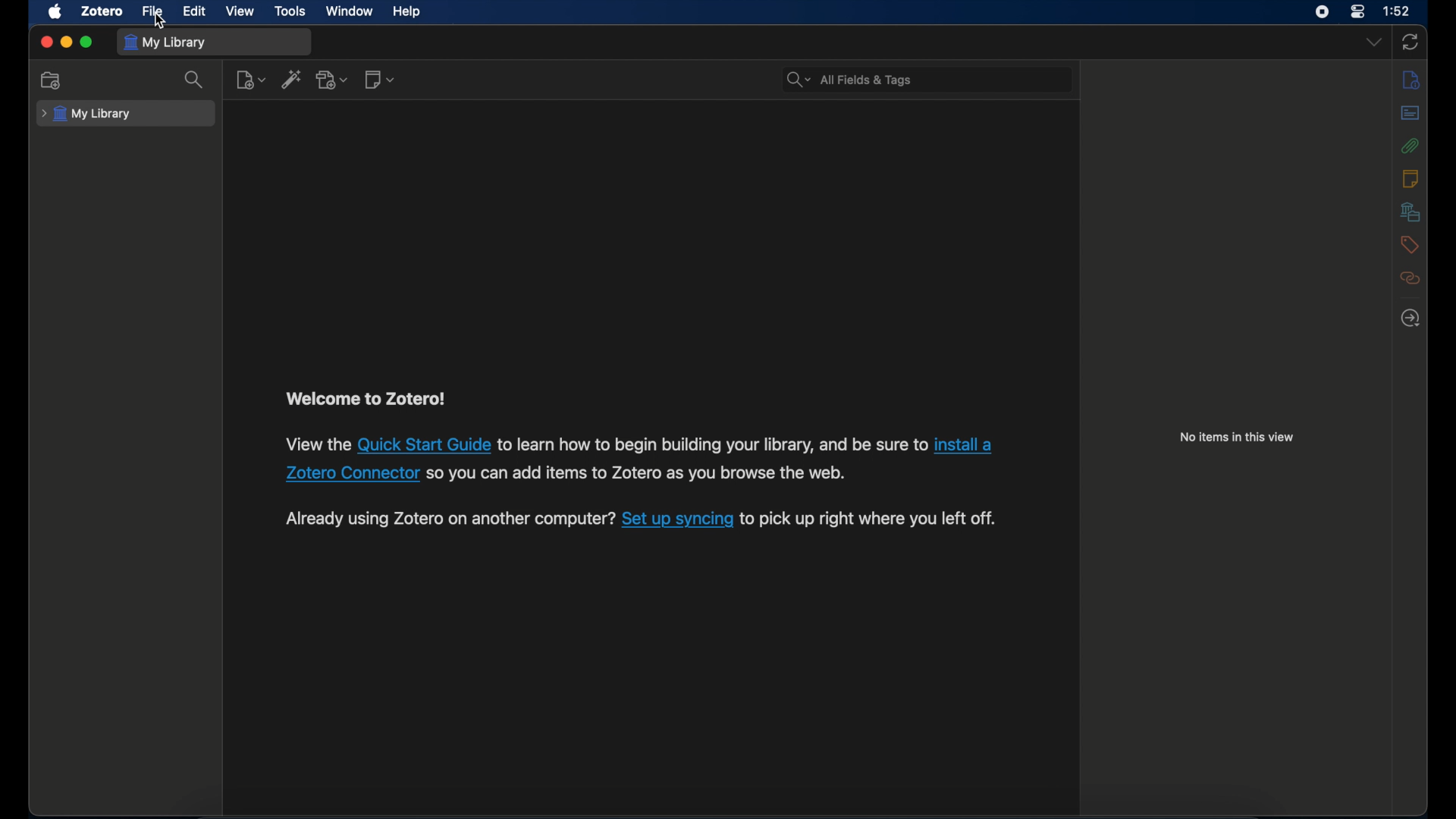 This screenshot has height=819, width=1456. I want to click on no items in this view, so click(1238, 437).